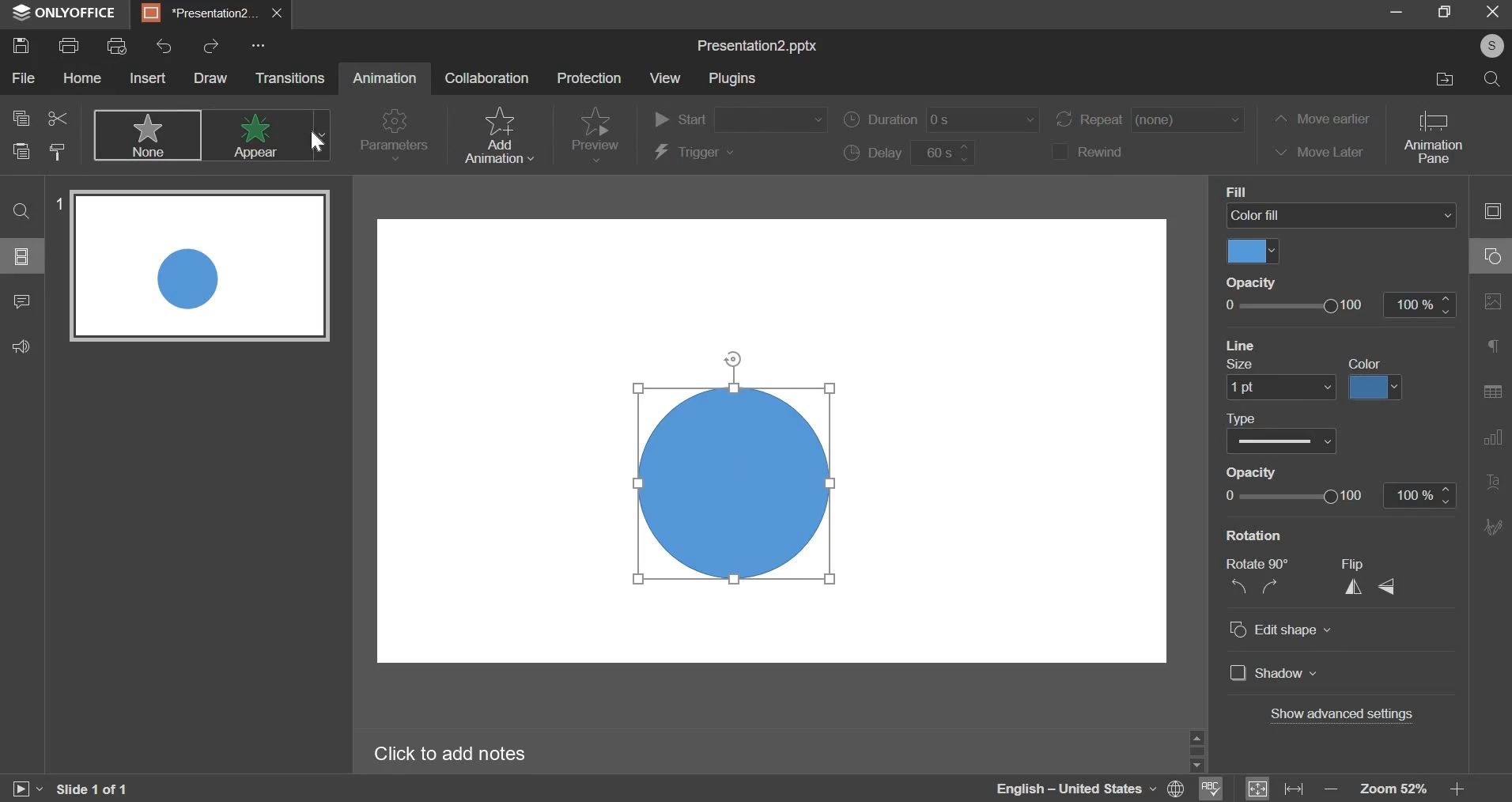 This screenshot has height=802, width=1512. I want to click on show date and time, so click(1293, 471).